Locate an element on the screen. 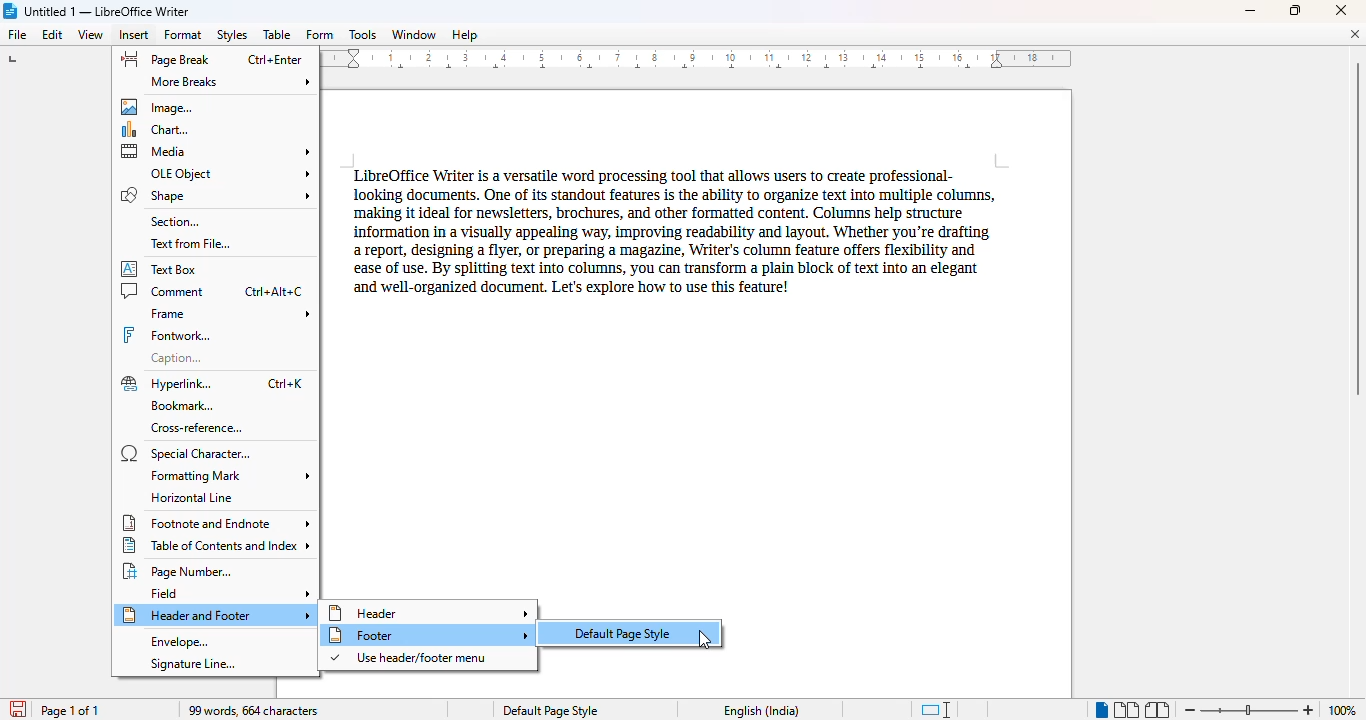 The height and width of the screenshot is (720, 1366). window is located at coordinates (414, 34).